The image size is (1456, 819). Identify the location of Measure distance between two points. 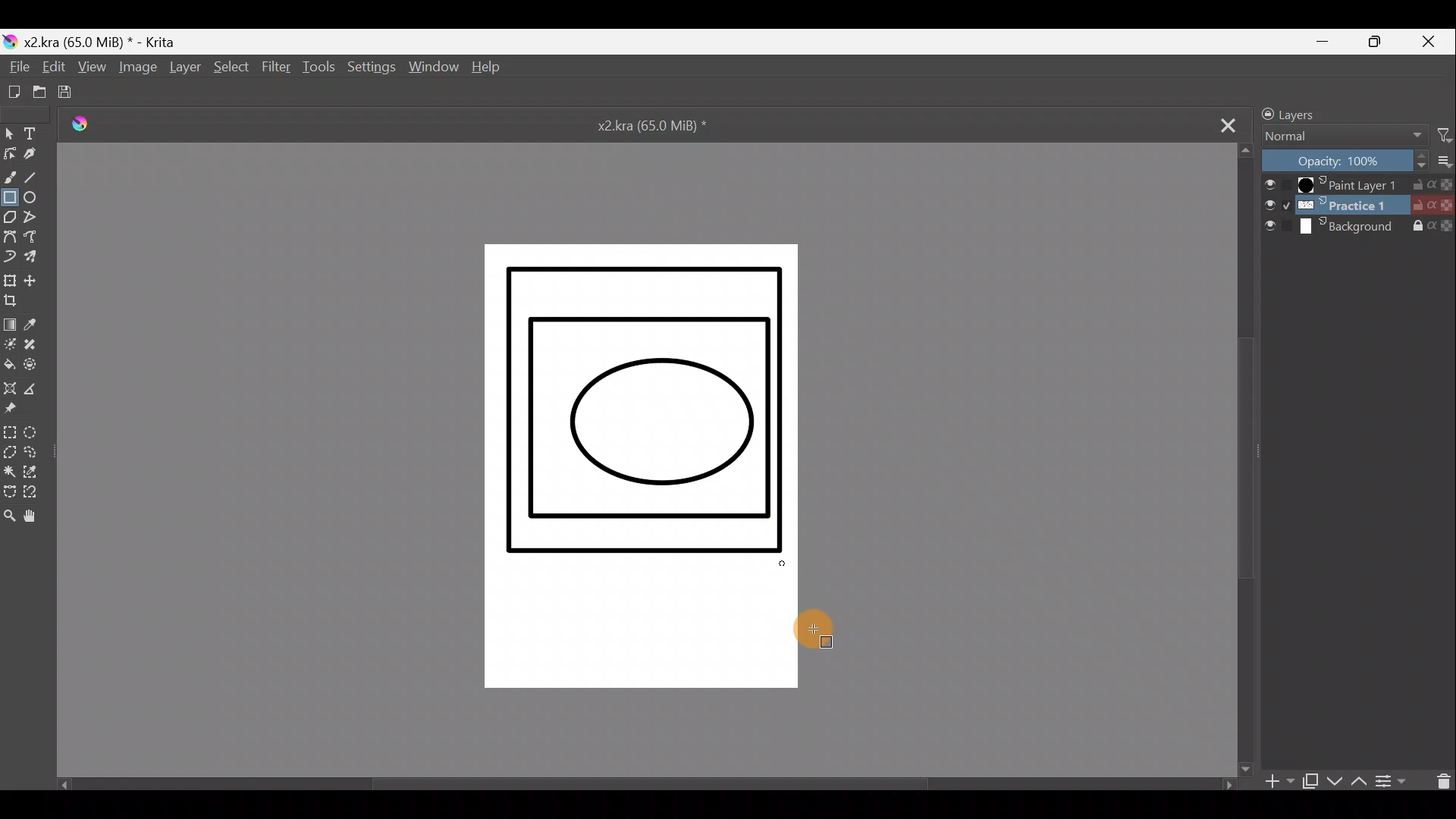
(33, 387).